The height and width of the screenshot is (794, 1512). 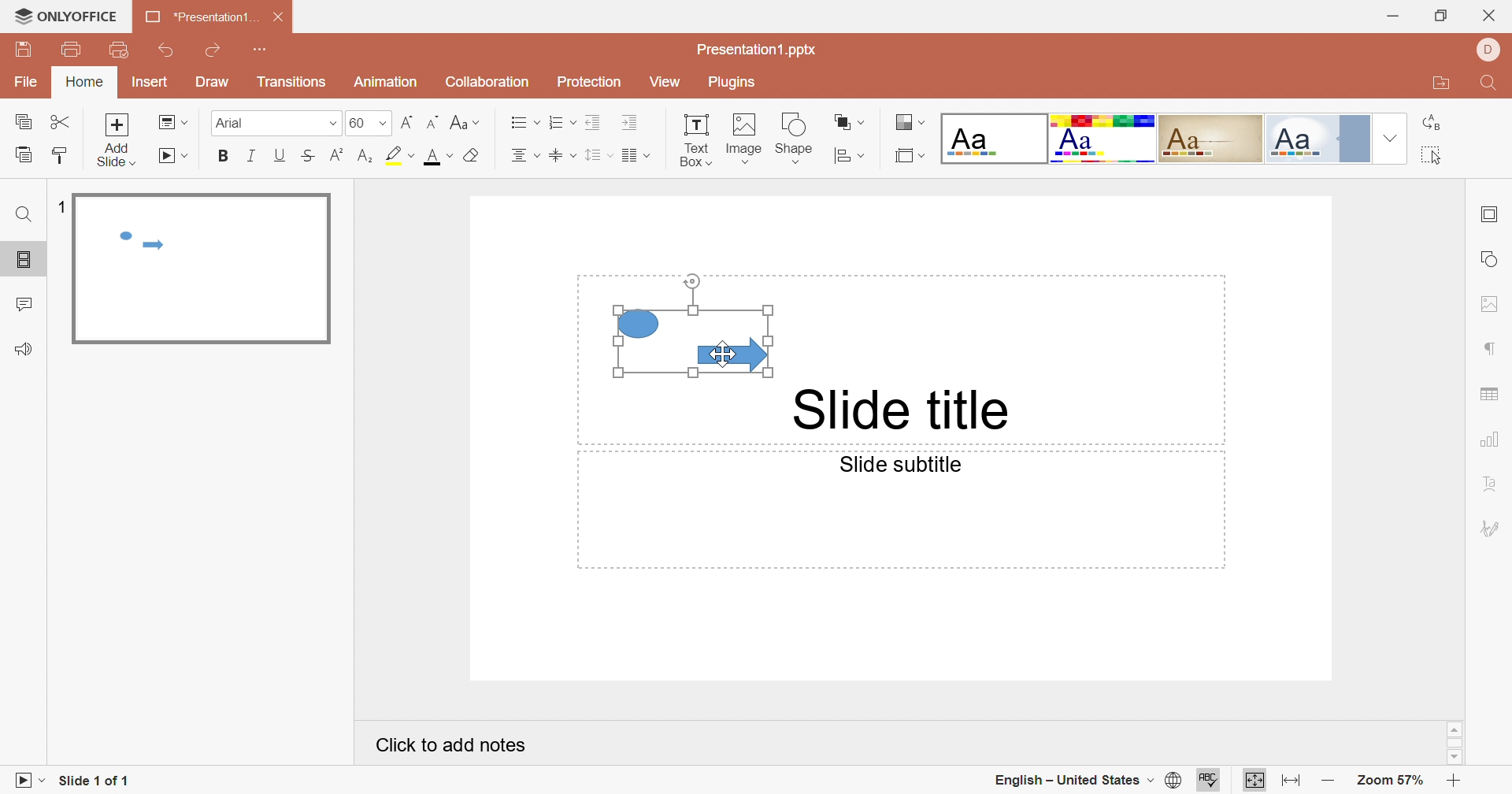 I want to click on Font color, so click(x=438, y=157).